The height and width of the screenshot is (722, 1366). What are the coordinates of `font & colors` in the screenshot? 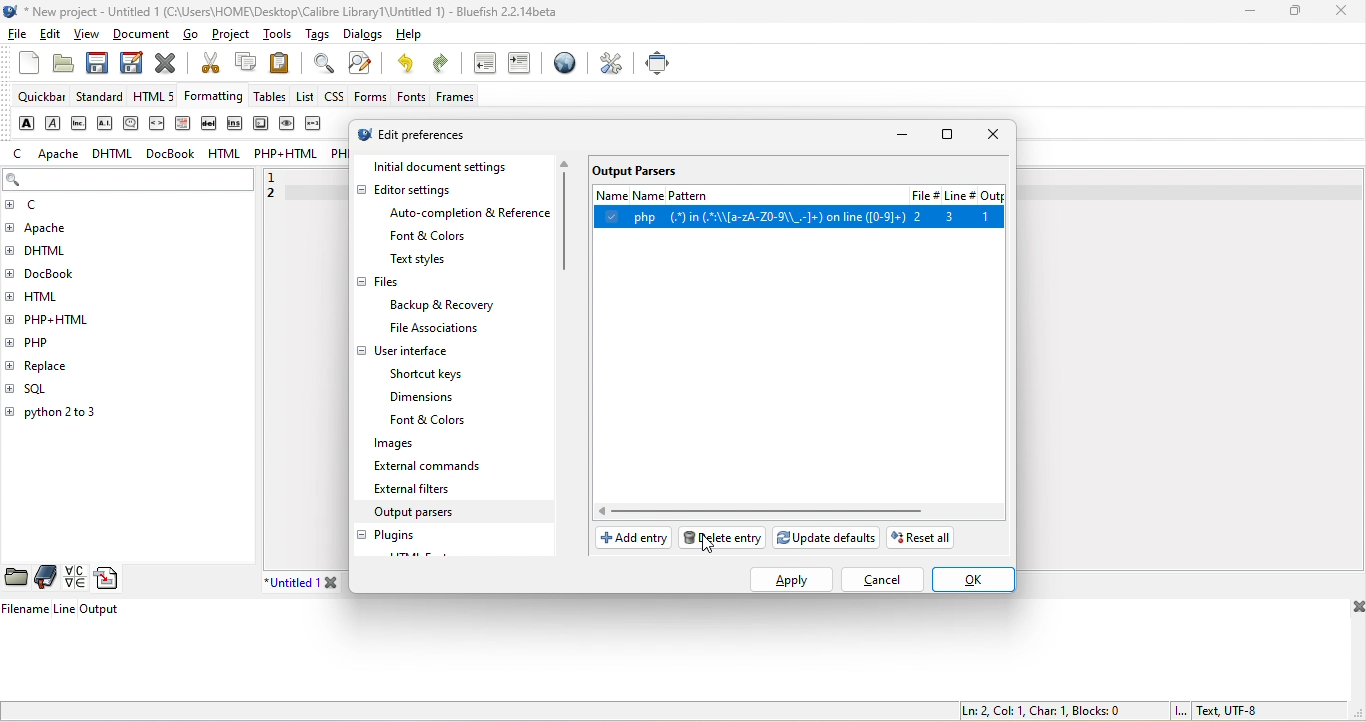 It's located at (439, 421).